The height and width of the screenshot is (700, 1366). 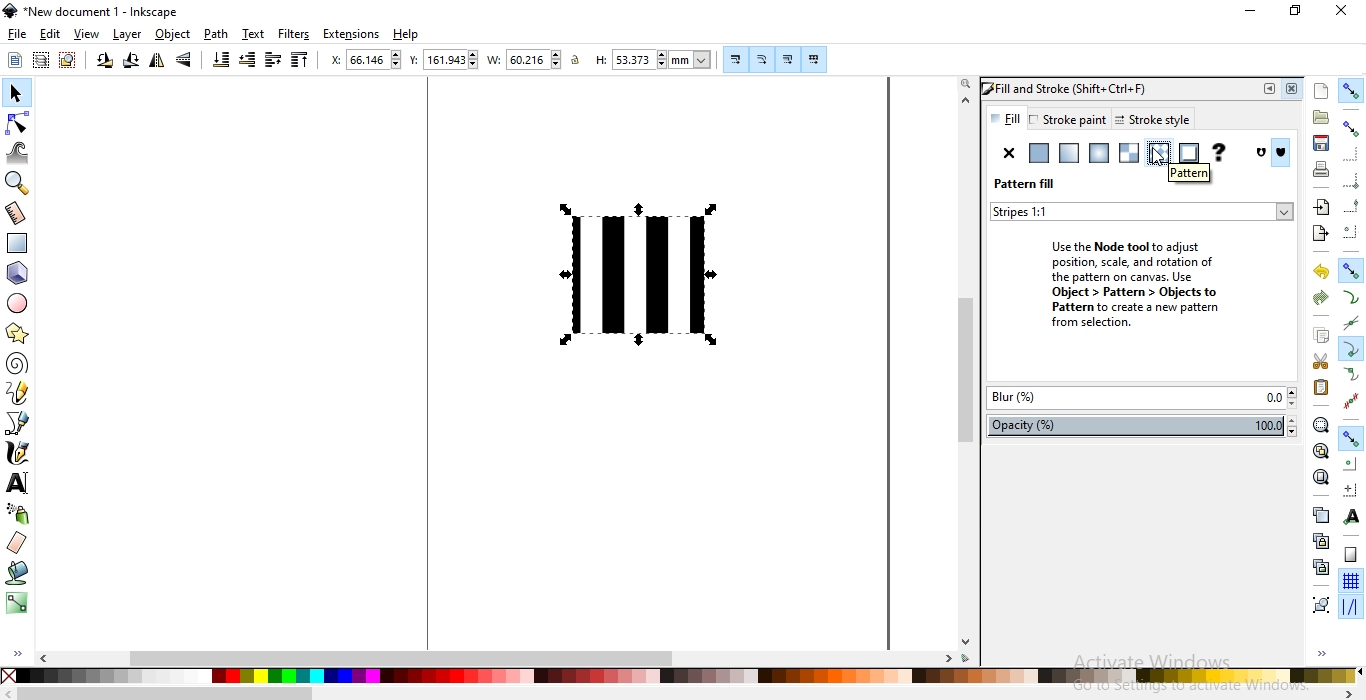 What do you see at coordinates (354, 33) in the screenshot?
I see `extensions` at bounding box center [354, 33].